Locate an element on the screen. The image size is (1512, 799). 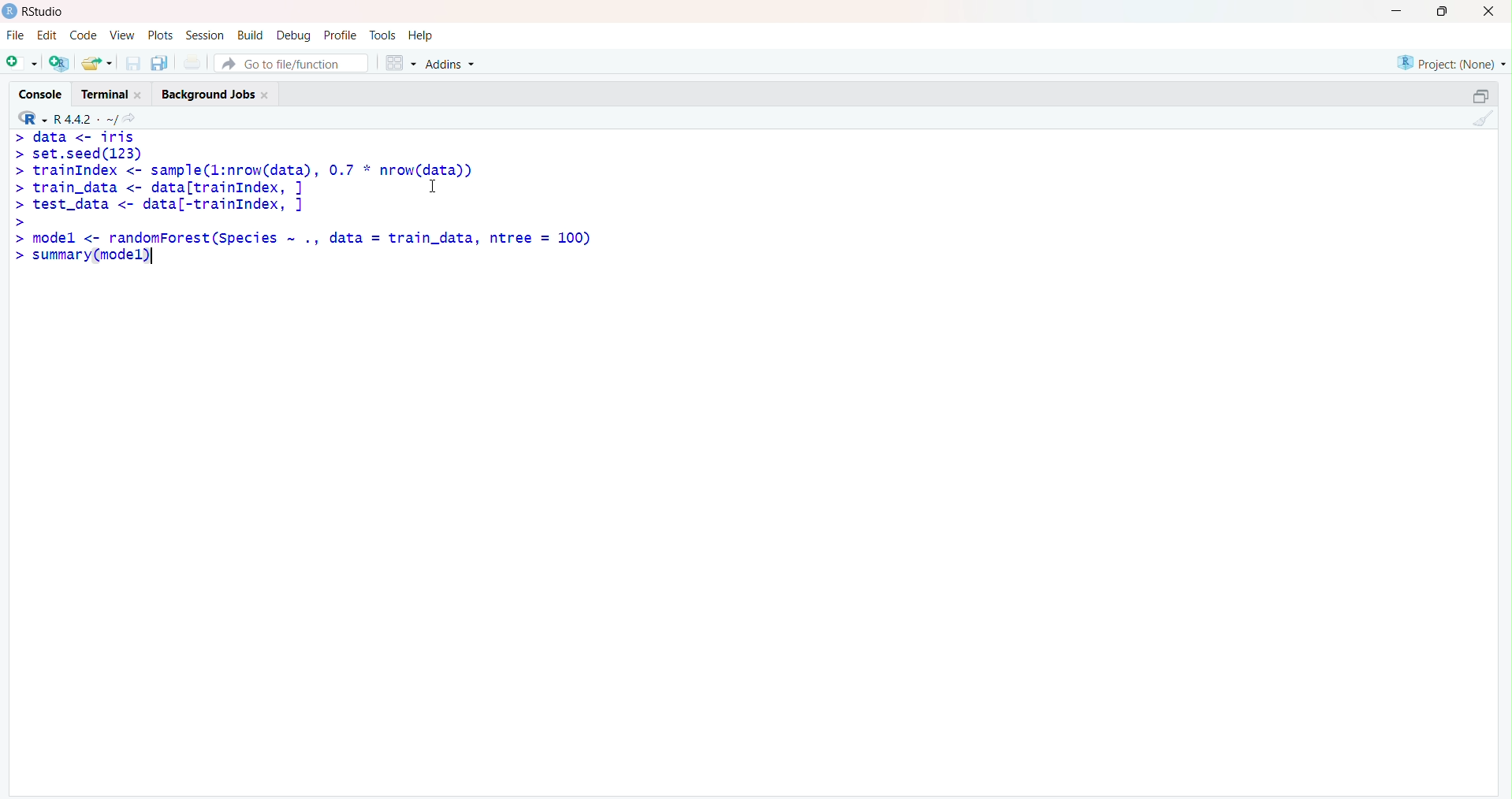
Tools is located at coordinates (382, 34).